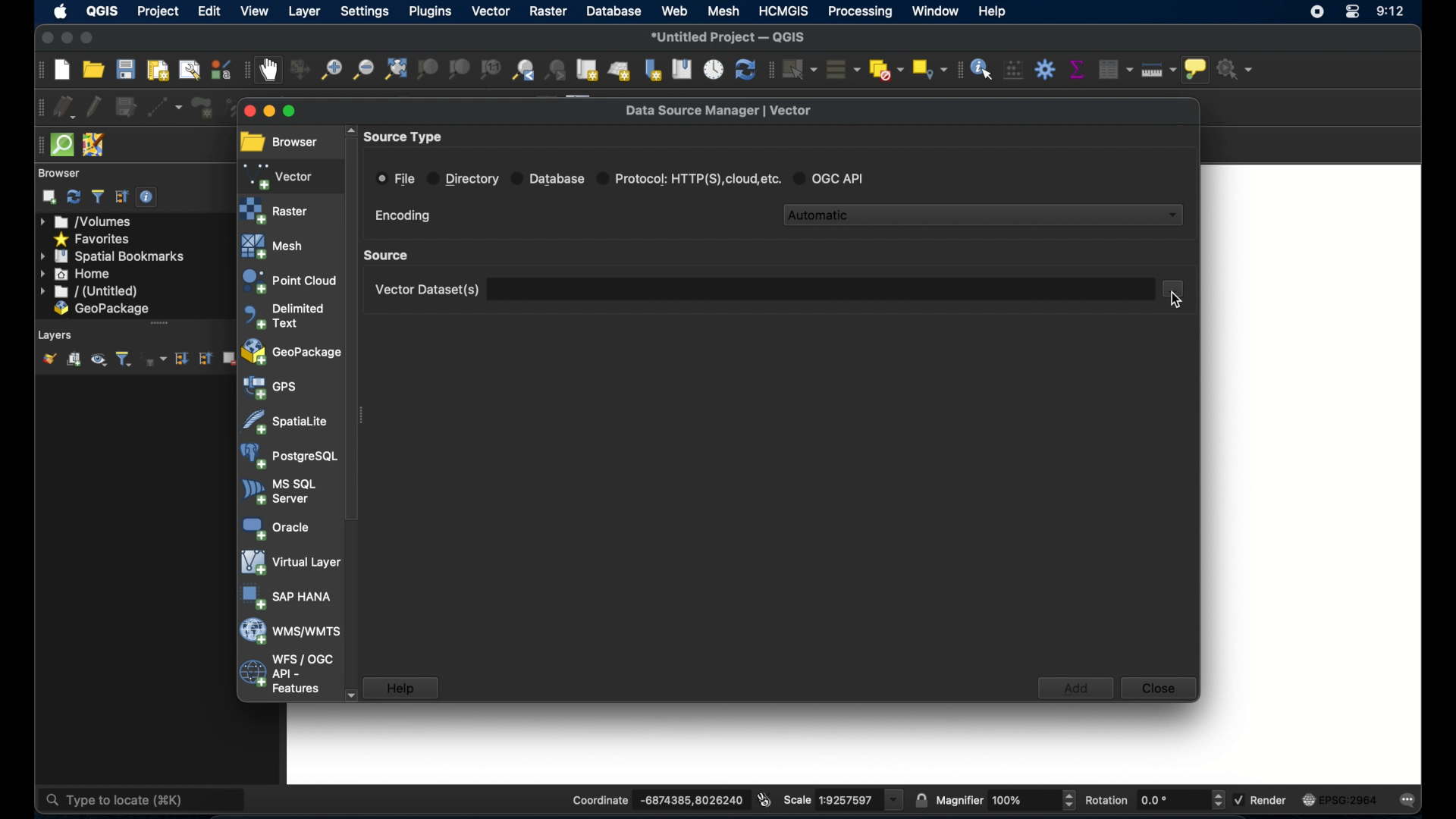 The image size is (1456, 819). What do you see at coordinates (613, 11) in the screenshot?
I see `database` at bounding box center [613, 11].